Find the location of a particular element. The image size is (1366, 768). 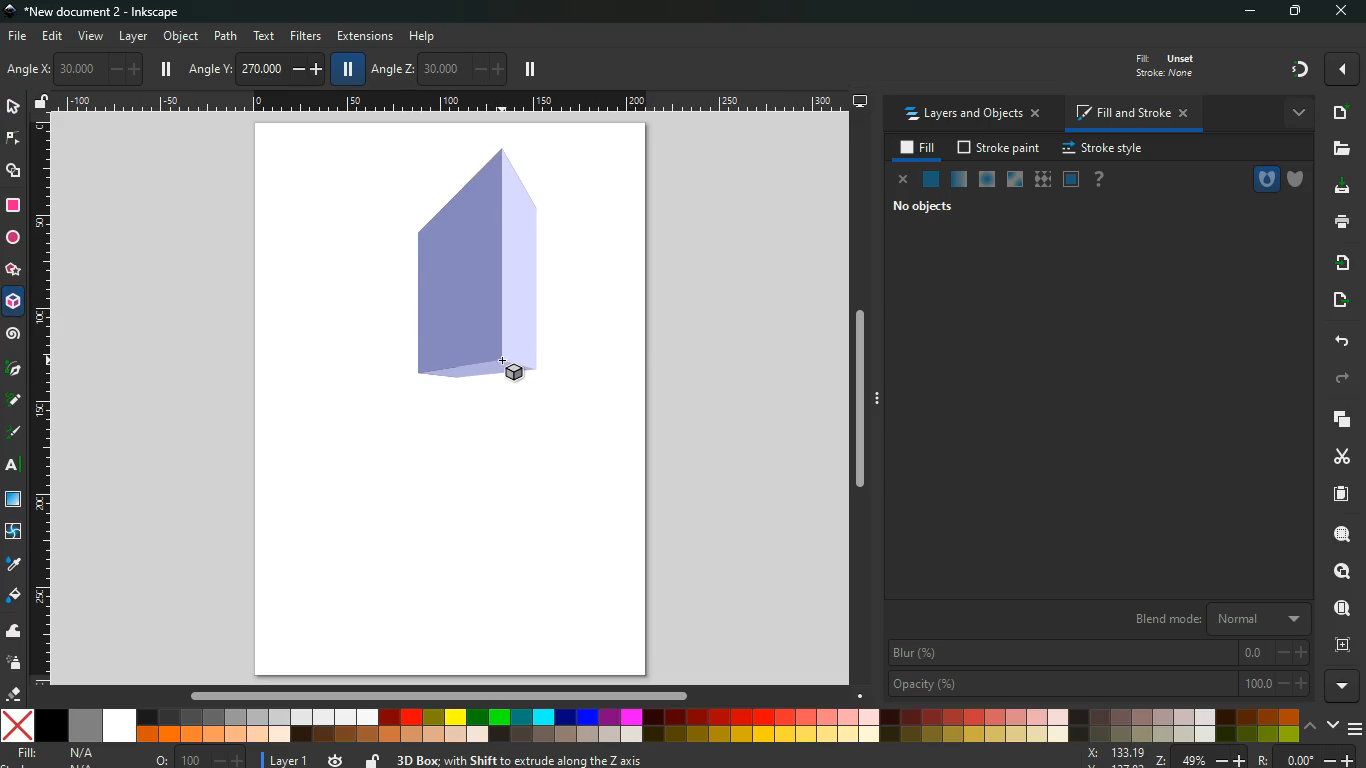

extensions is located at coordinates (365, 37).